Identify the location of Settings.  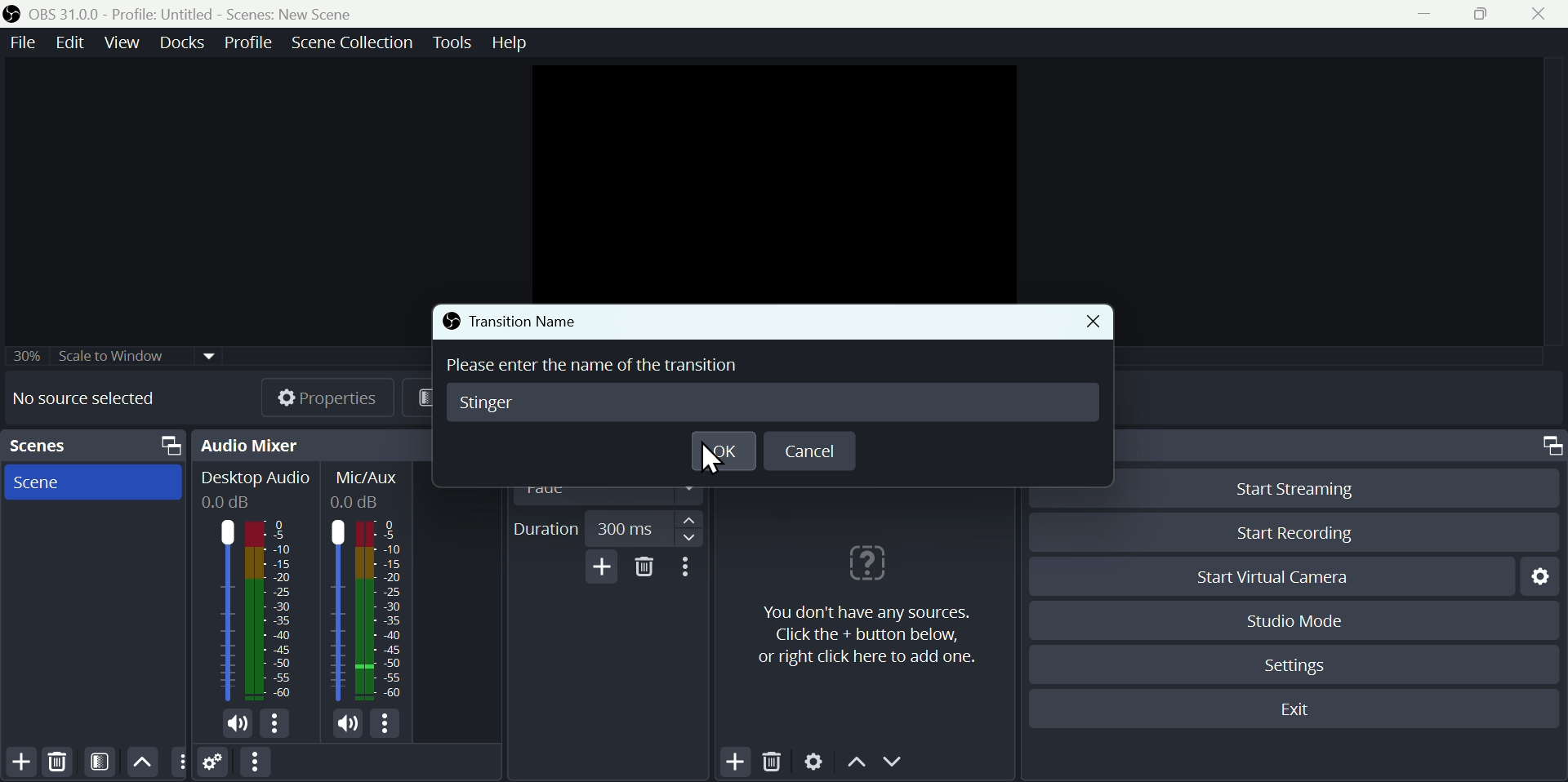
(1539, 575).